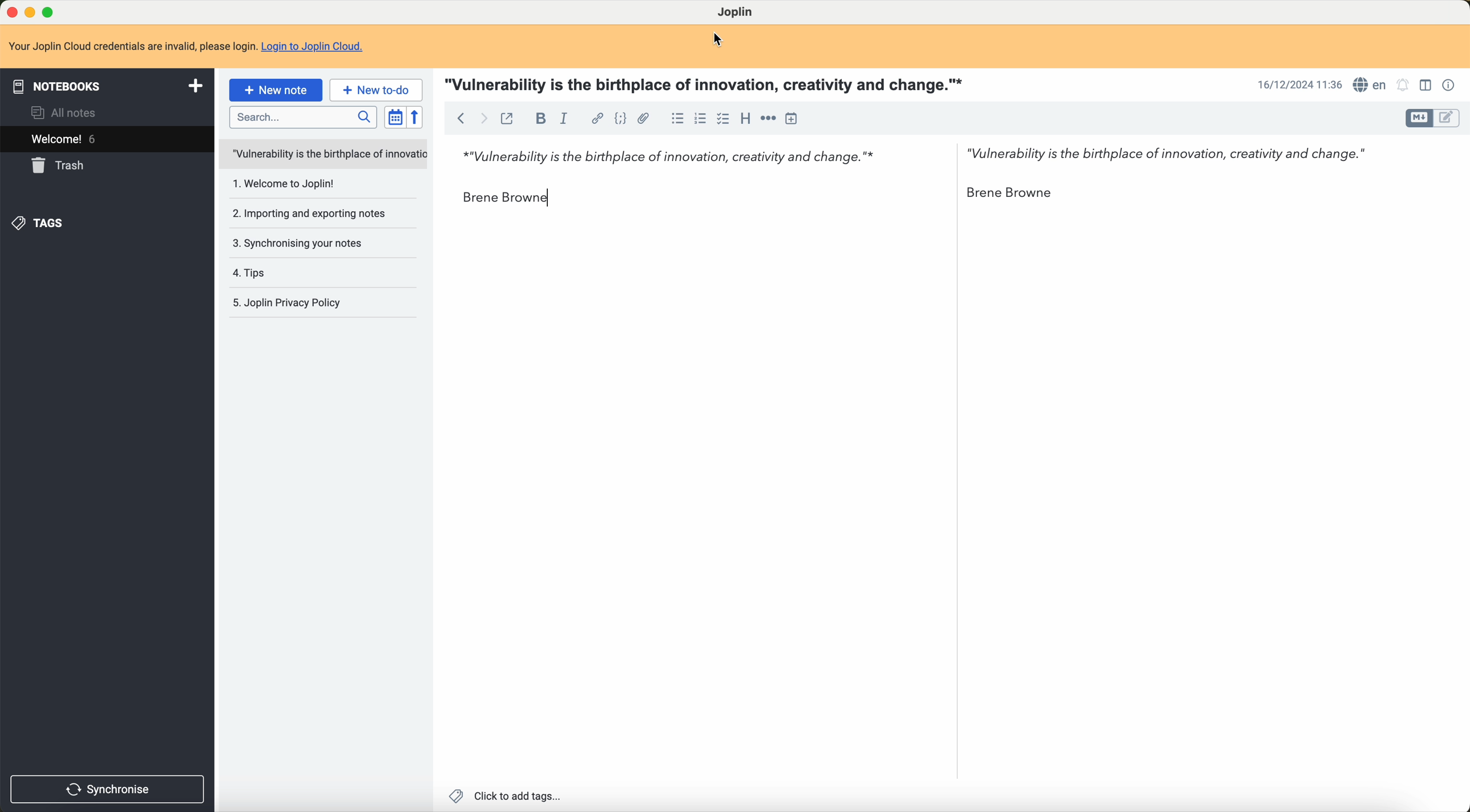 This screenshot has width=1470, height=812. Describe the element at coordinates (506, 198) in the screenshot. I see `Brene Brown` at that location.